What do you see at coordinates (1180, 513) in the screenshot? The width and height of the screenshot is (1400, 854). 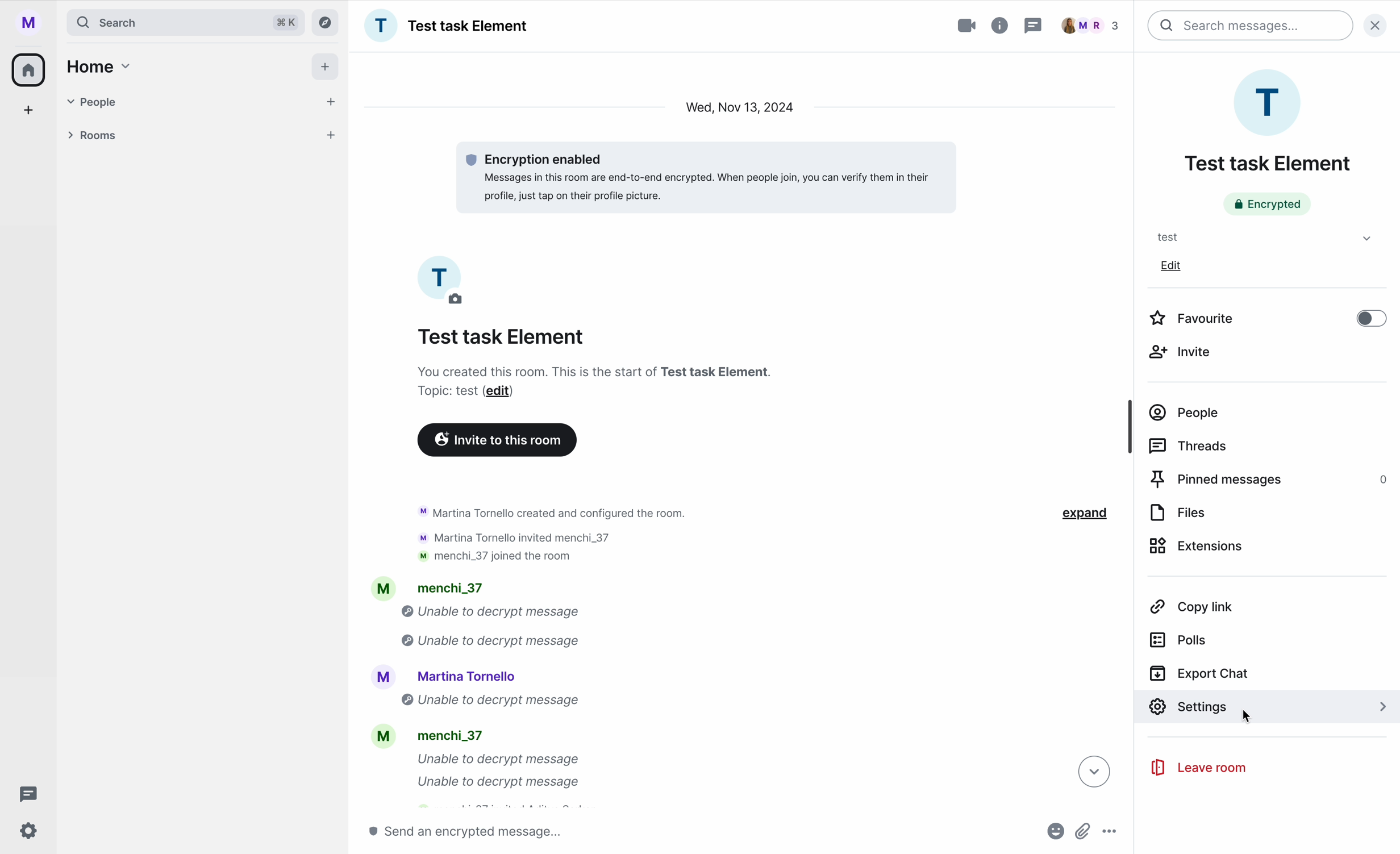 I see `files` at bounding box center [1180, 513].